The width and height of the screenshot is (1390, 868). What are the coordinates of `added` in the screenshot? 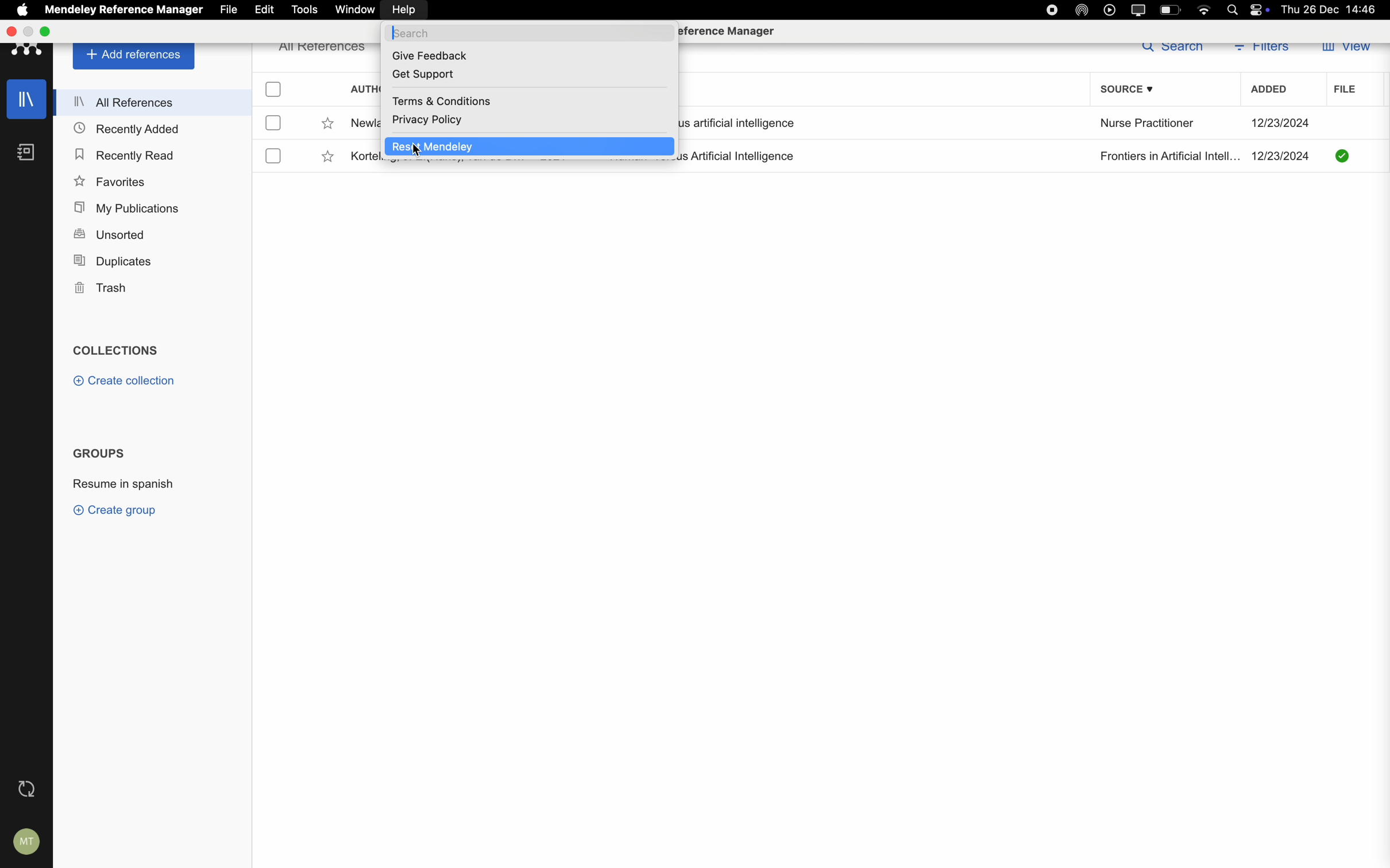 It's located at (1270, 90).